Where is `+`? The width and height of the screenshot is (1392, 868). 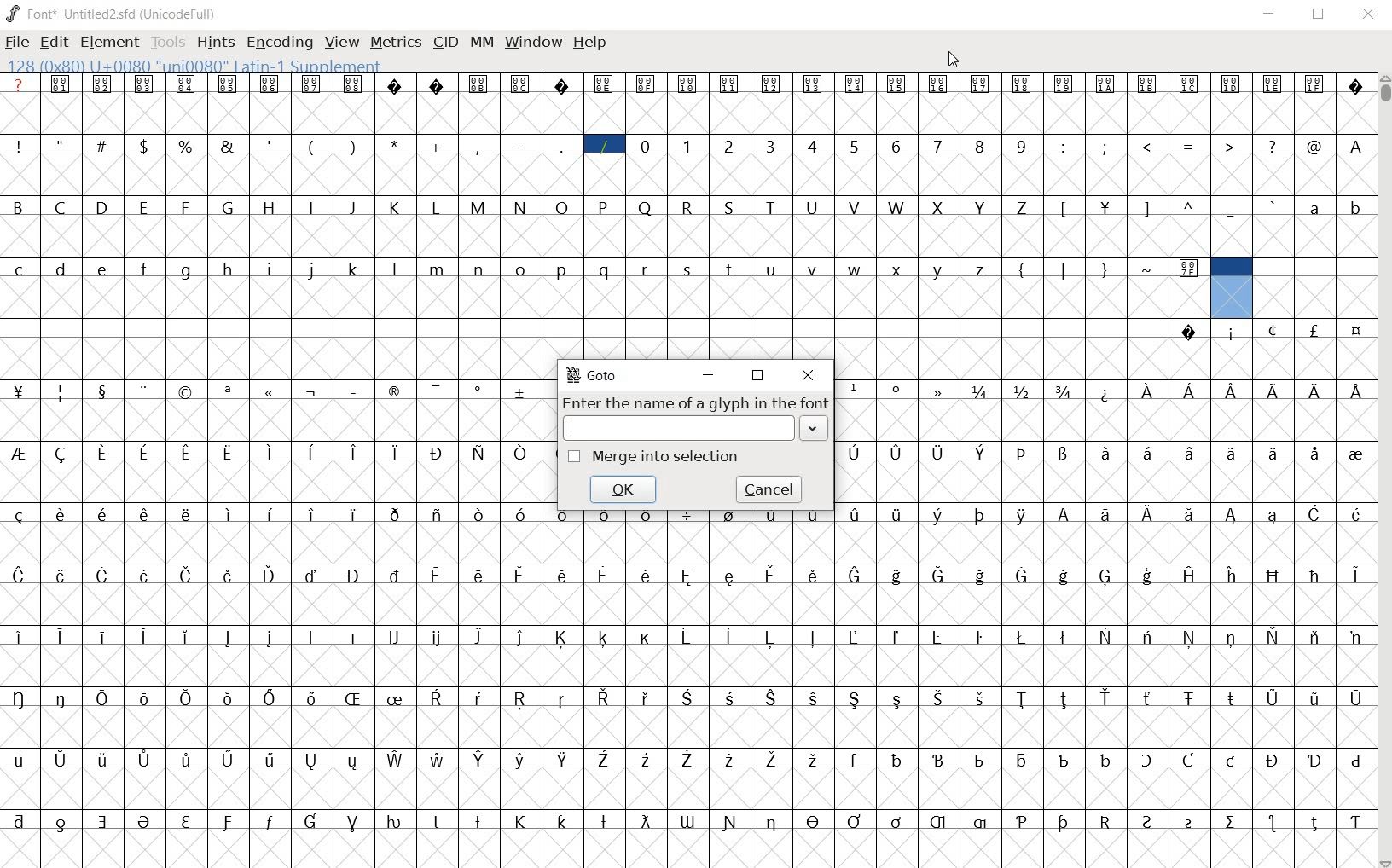 + is located at coordinates (438, 145).